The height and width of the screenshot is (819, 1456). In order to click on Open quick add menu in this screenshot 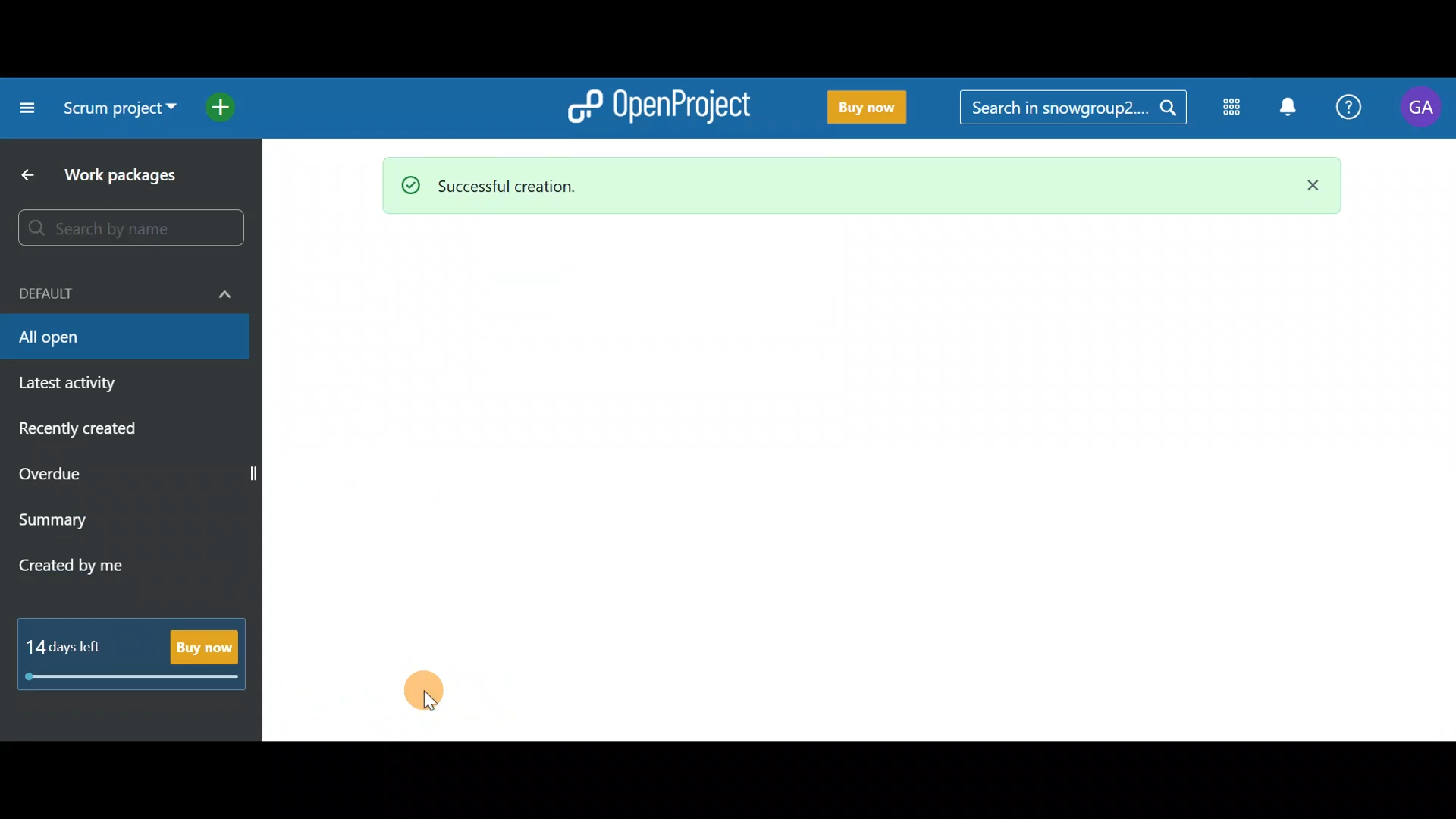, I will do `click(223, 104)`.